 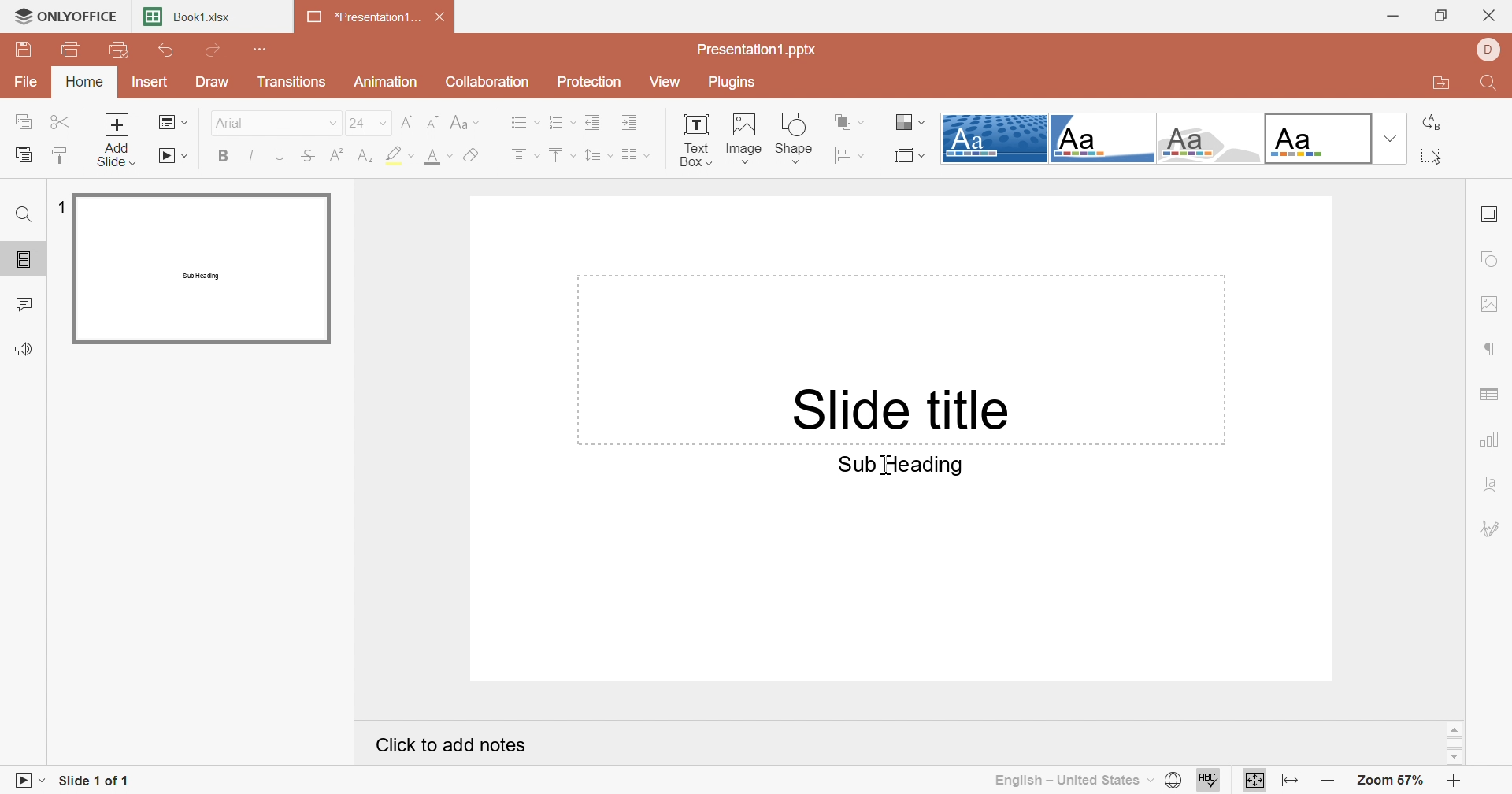 I want to click on Image settings, so click(x=1488, y=305).